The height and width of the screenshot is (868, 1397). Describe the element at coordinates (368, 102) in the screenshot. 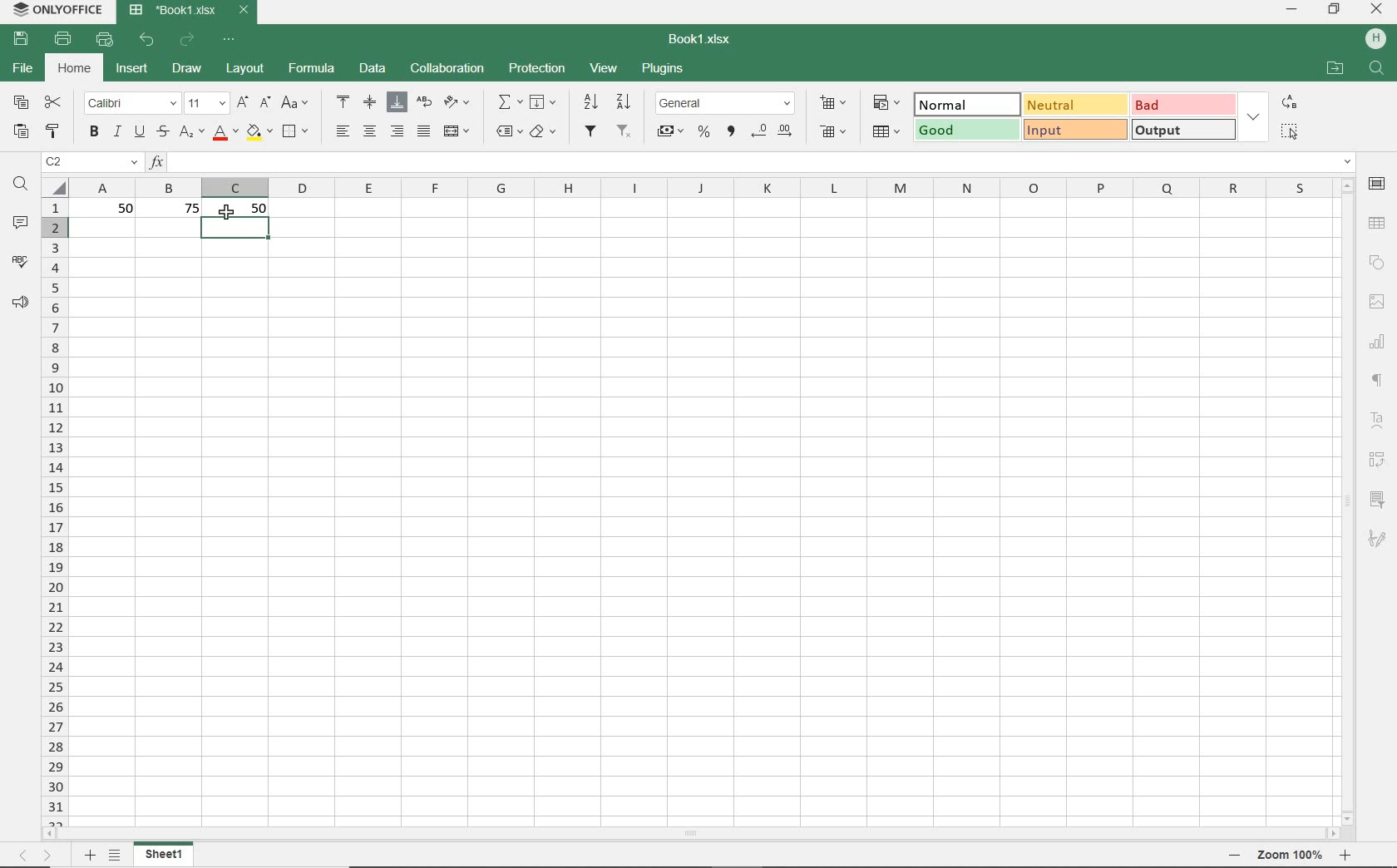

I see `align middle` at that location.